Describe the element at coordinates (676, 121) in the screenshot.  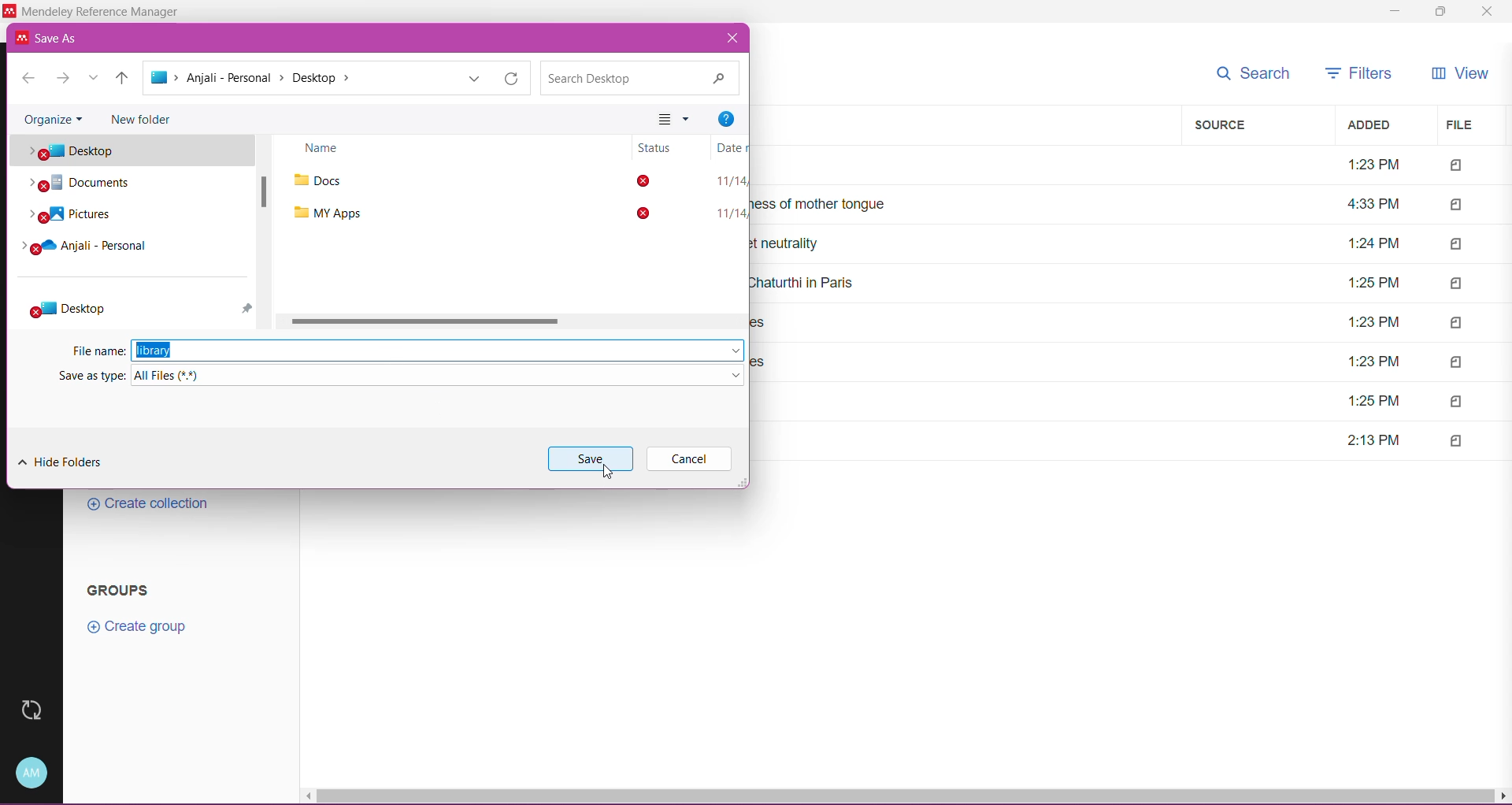
I see `Change your view` at that location.